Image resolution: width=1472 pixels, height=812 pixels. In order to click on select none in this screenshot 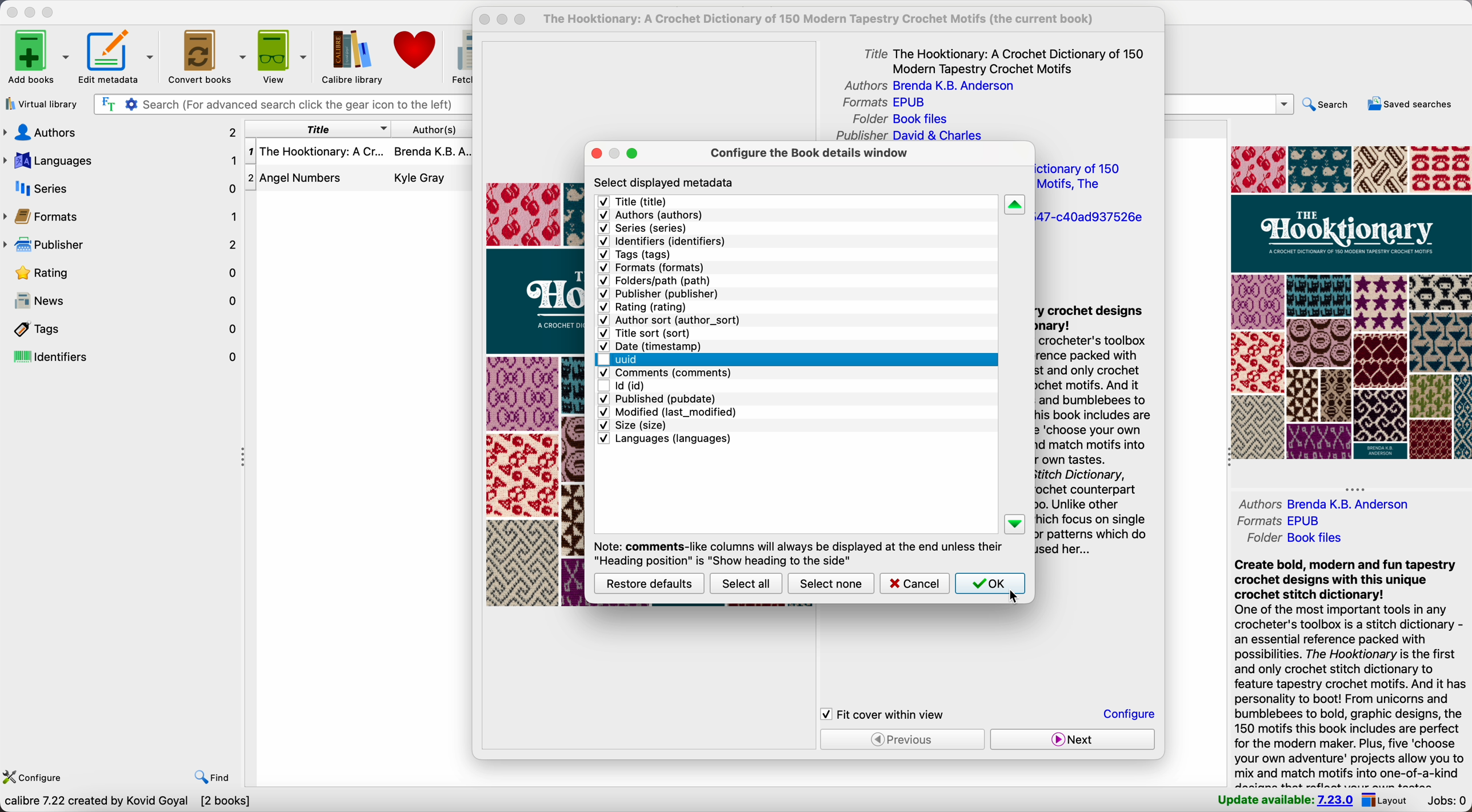, I will do `click(831, 585)`.